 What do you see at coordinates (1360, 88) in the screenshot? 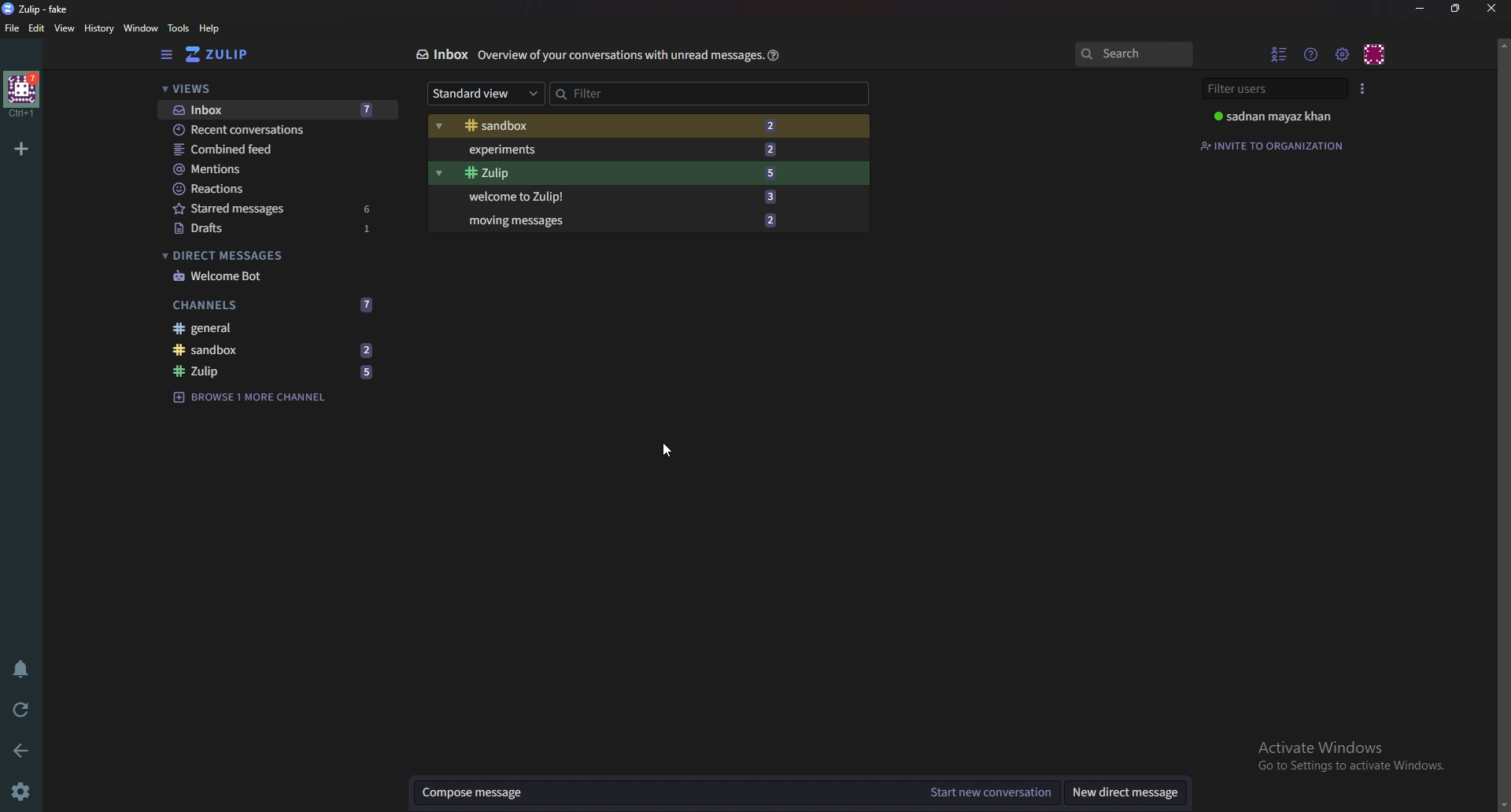
I see `User list style` at bounding box center [1360, 88].